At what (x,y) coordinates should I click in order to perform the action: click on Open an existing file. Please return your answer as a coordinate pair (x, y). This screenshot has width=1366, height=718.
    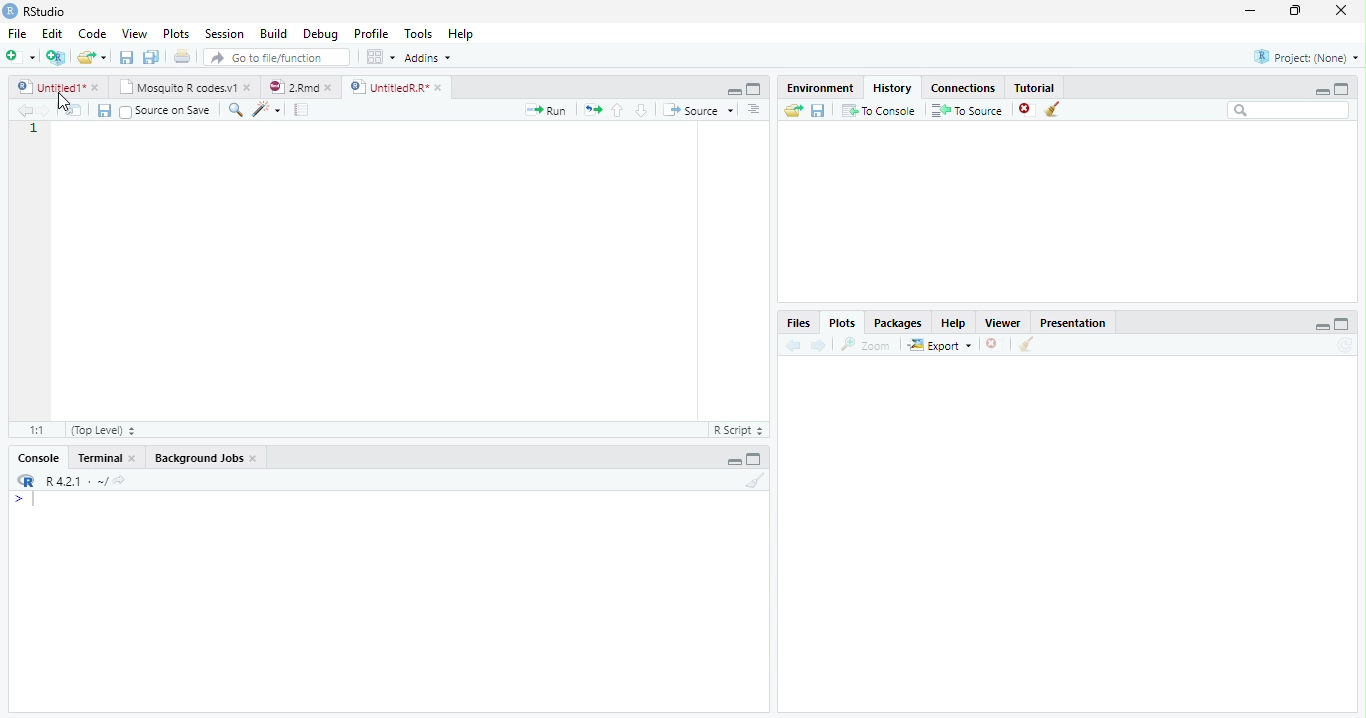
    Looking at the image, I should click on (84, 57).